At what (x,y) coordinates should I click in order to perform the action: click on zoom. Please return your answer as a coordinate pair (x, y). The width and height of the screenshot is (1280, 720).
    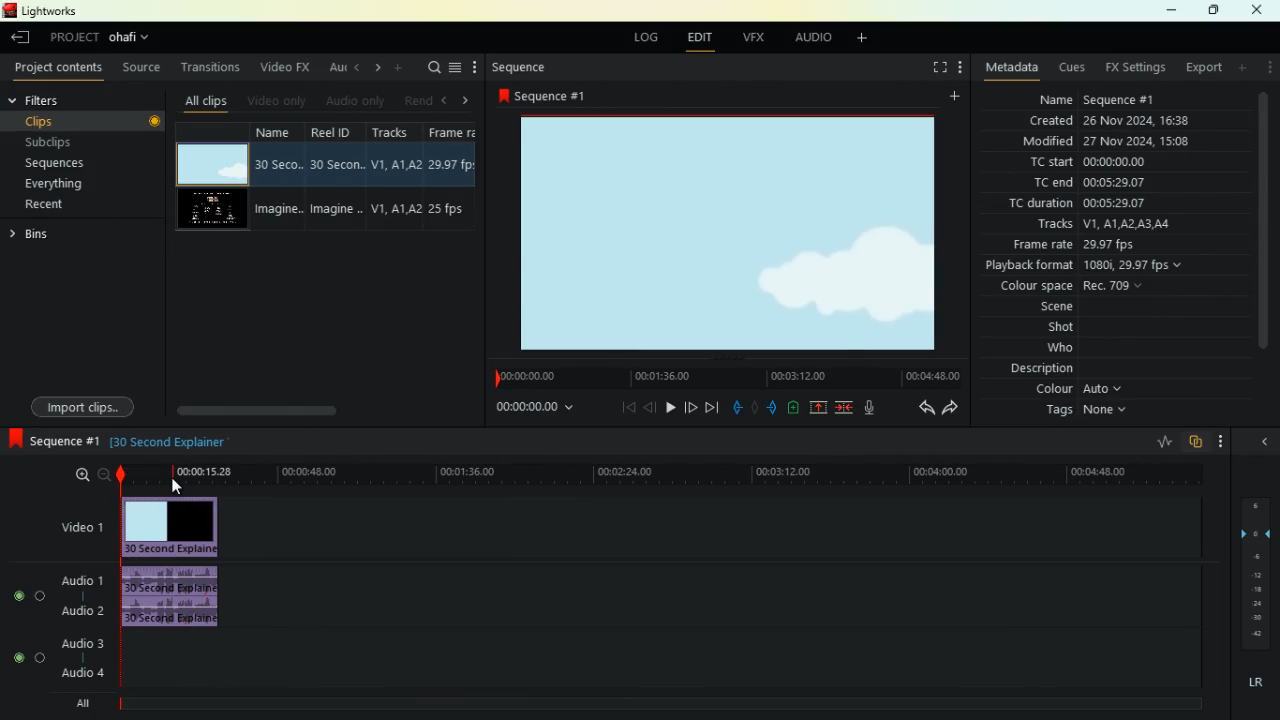
    Looking at the image, I should click on (86, 474).